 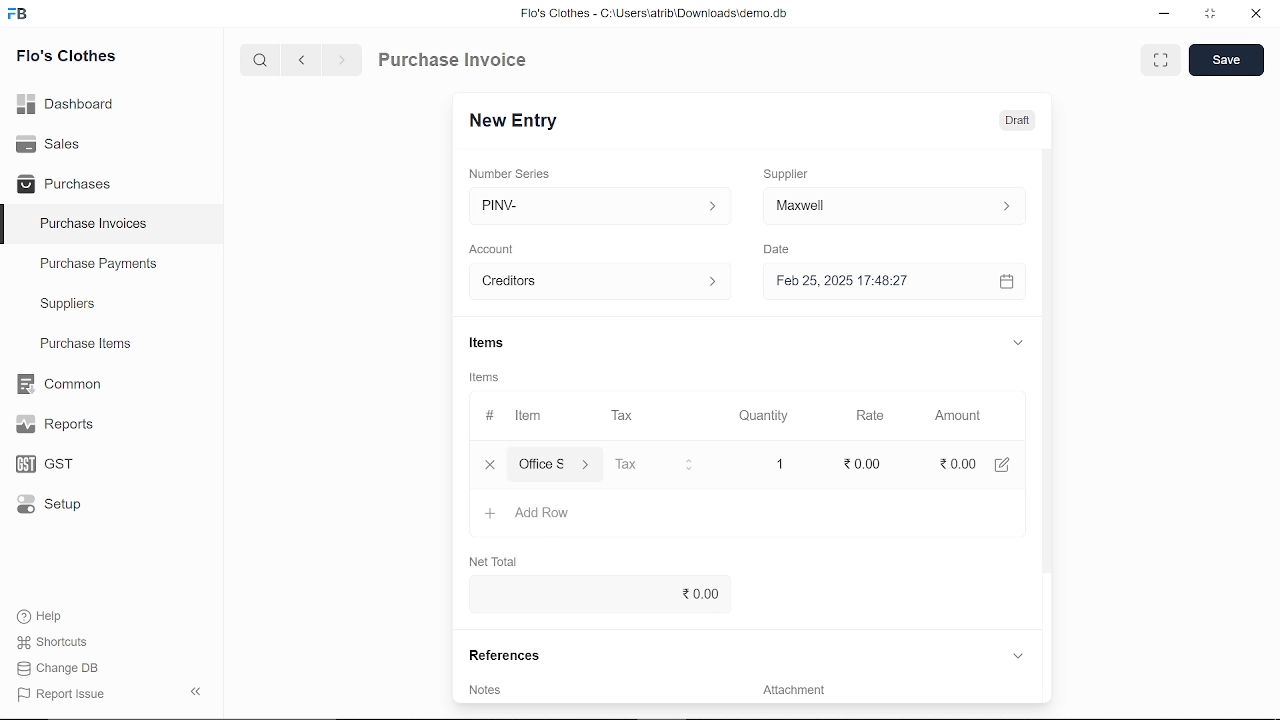 I want to click on minimize, so click(x=1162, y=14).